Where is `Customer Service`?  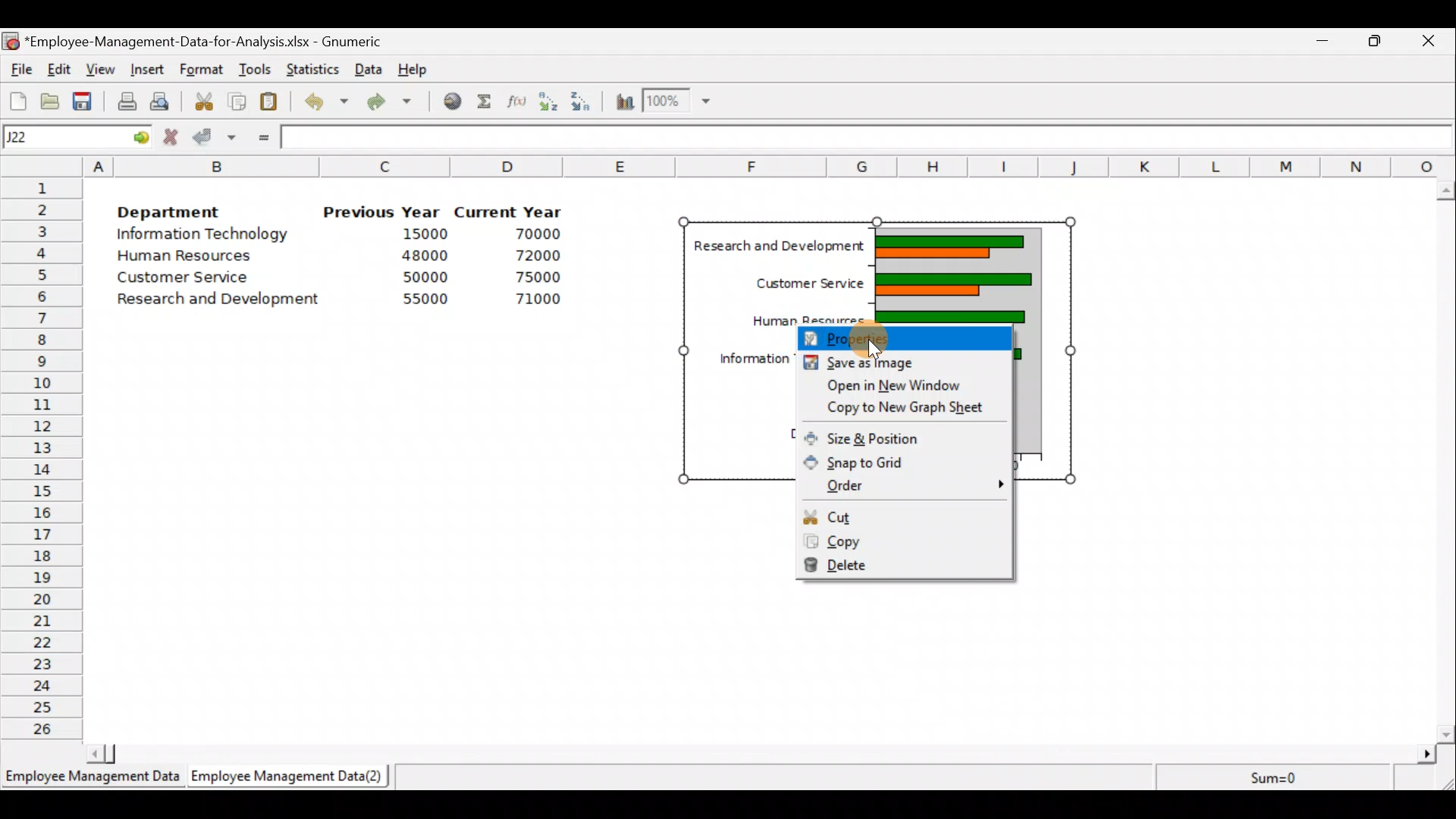 Customer Service is located at coordinates (176, 278).